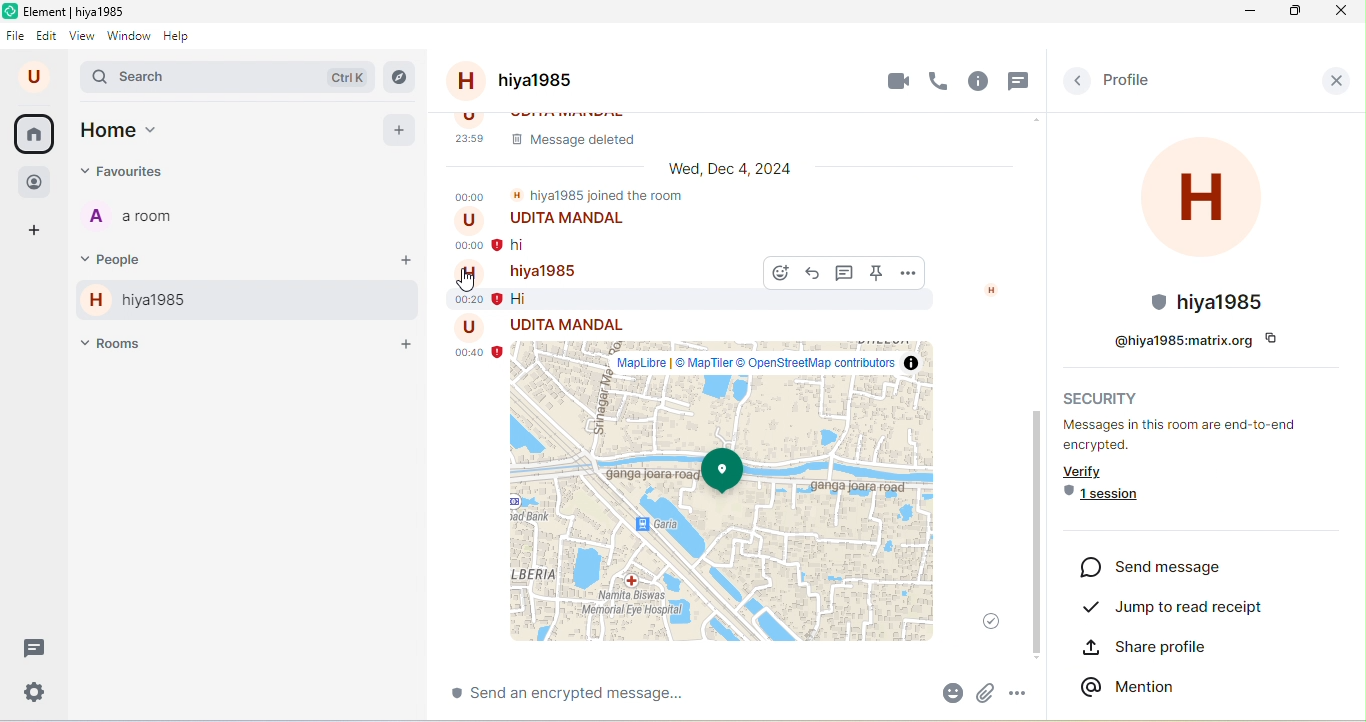 The image size is (1366, 722). I want to click on pin, so click(878, 274).